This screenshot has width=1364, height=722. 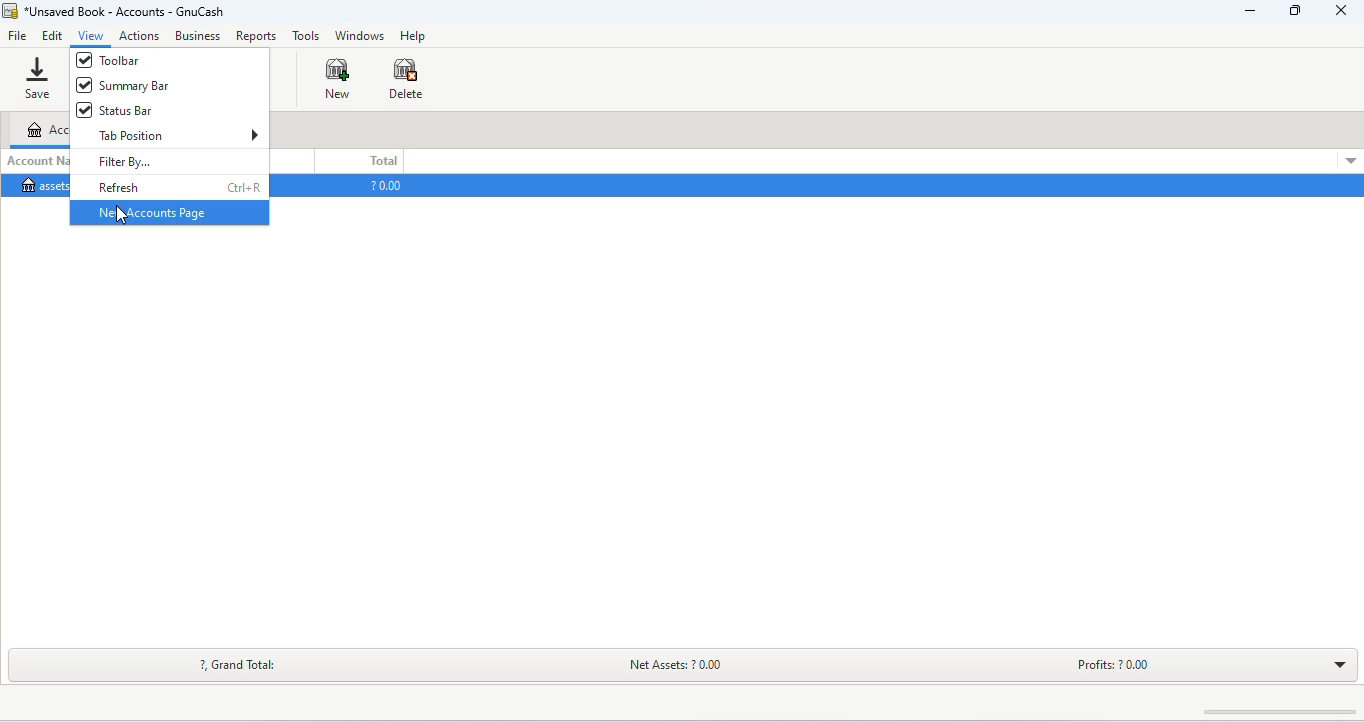 I want to click on profits: ? 0.00, so click(x=1107, y=663).